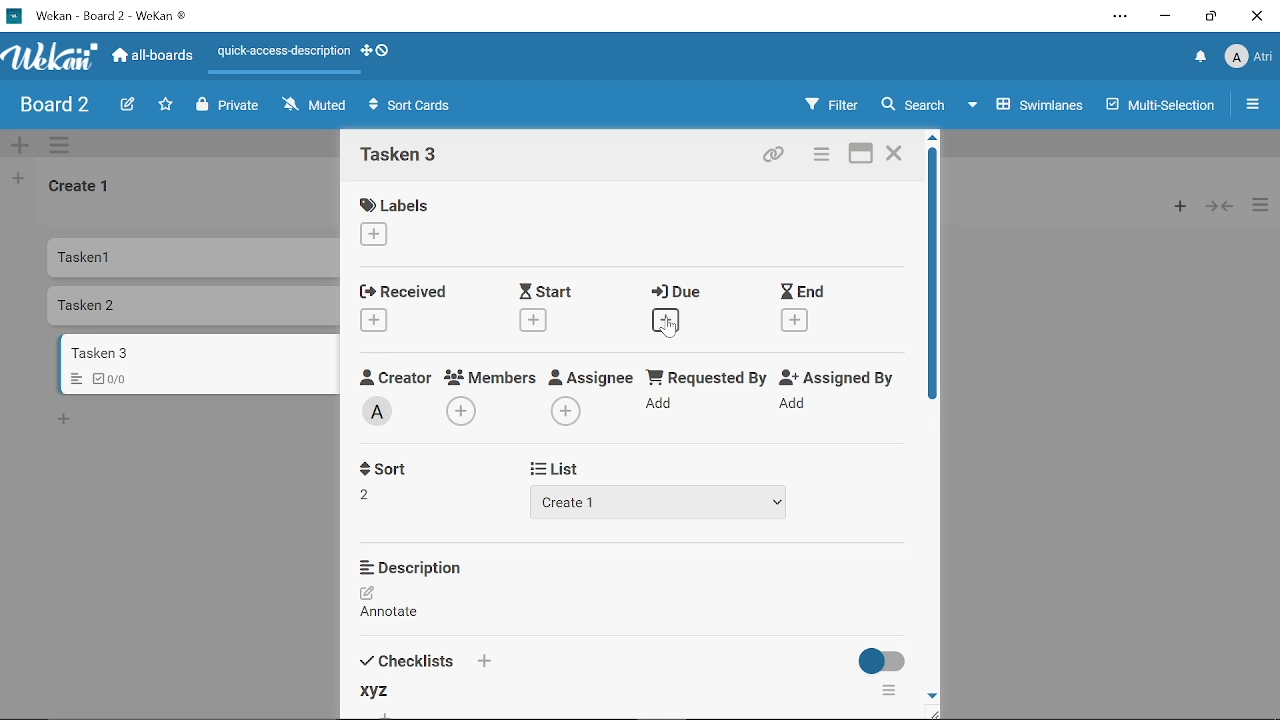 The width and height of the screenshot is (1280, 720). What do you see at coordinates (662, 405) in the screenshot?
I see `Add requested by` at bounding box center [662, 405].